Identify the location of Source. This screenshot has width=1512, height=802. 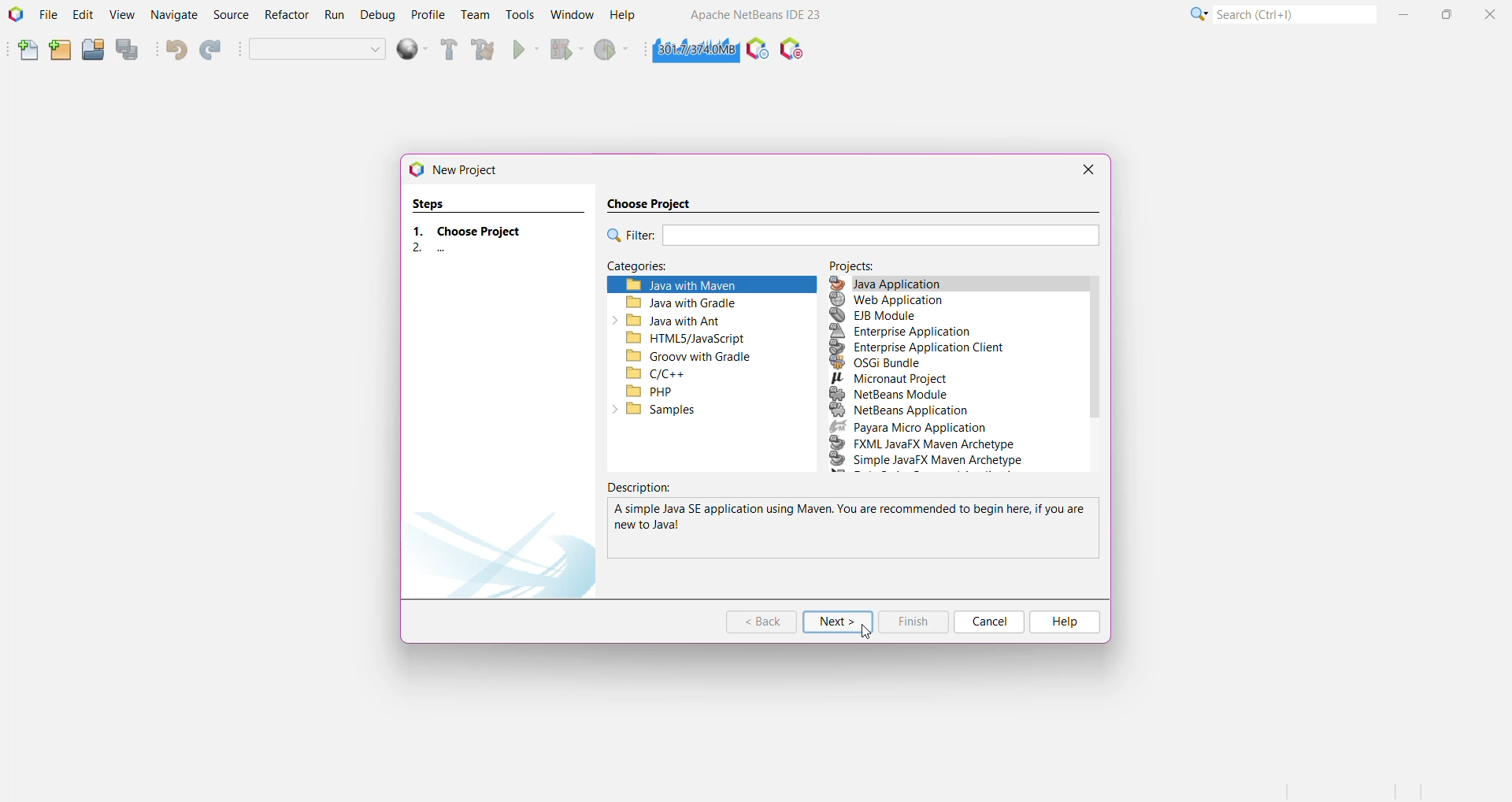
(229, 15).